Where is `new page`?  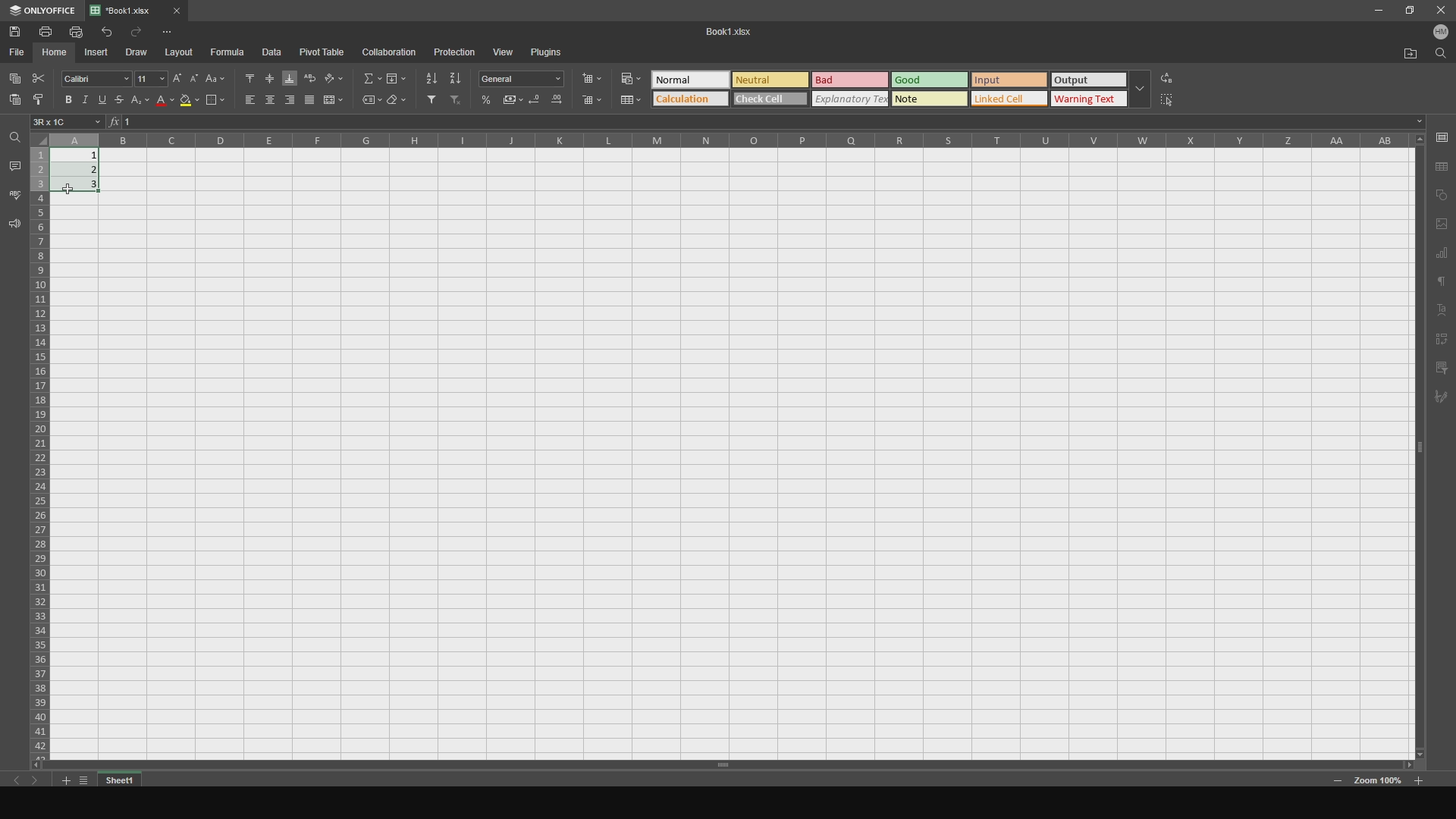 new page is located at coordinates (1442, 224).